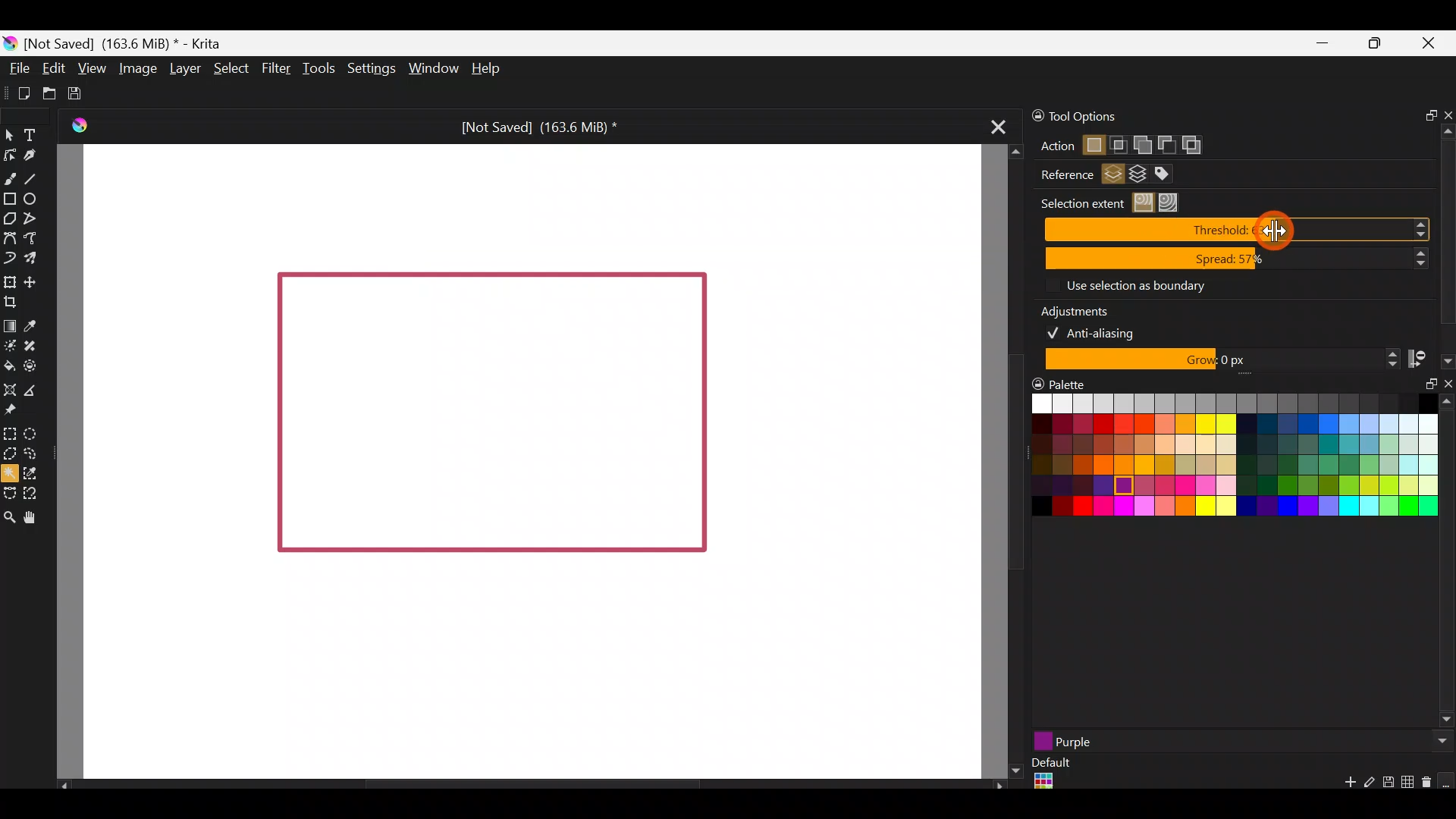  I want to click on Use selection as boundary, so click(1134, 284).